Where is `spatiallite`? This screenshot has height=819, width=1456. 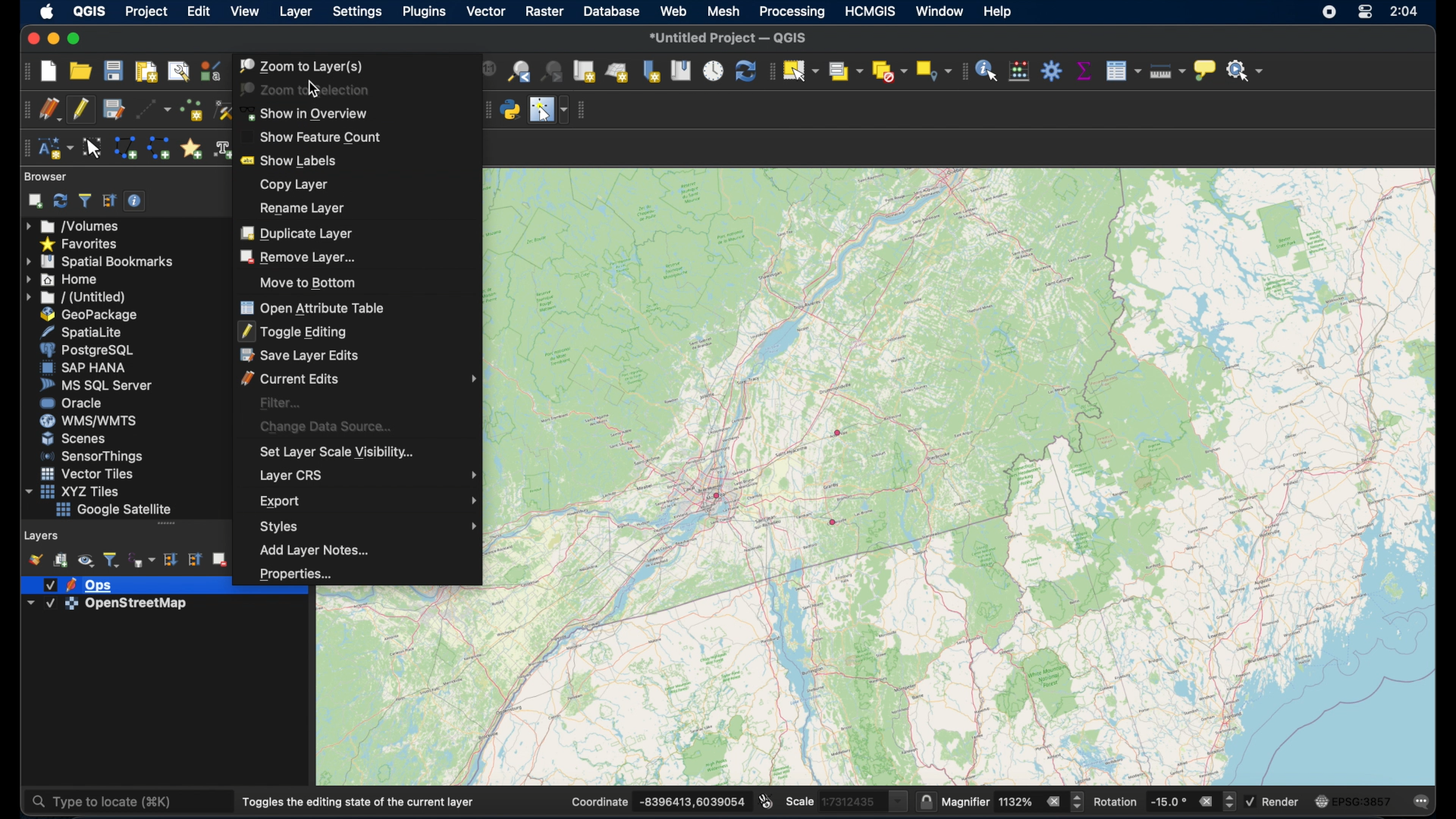 spatiallite is located at coordinates (78, 331).